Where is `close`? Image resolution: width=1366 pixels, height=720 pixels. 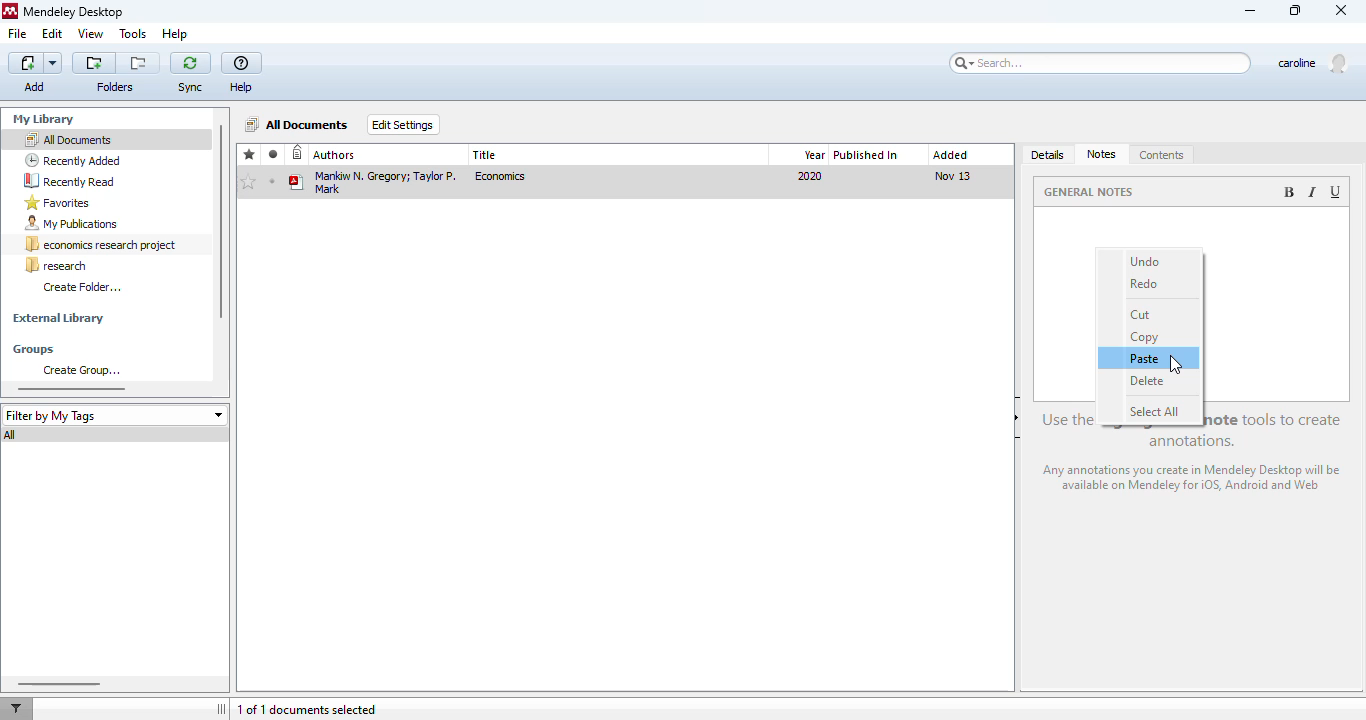 close is located at coordinates (1343, 11).